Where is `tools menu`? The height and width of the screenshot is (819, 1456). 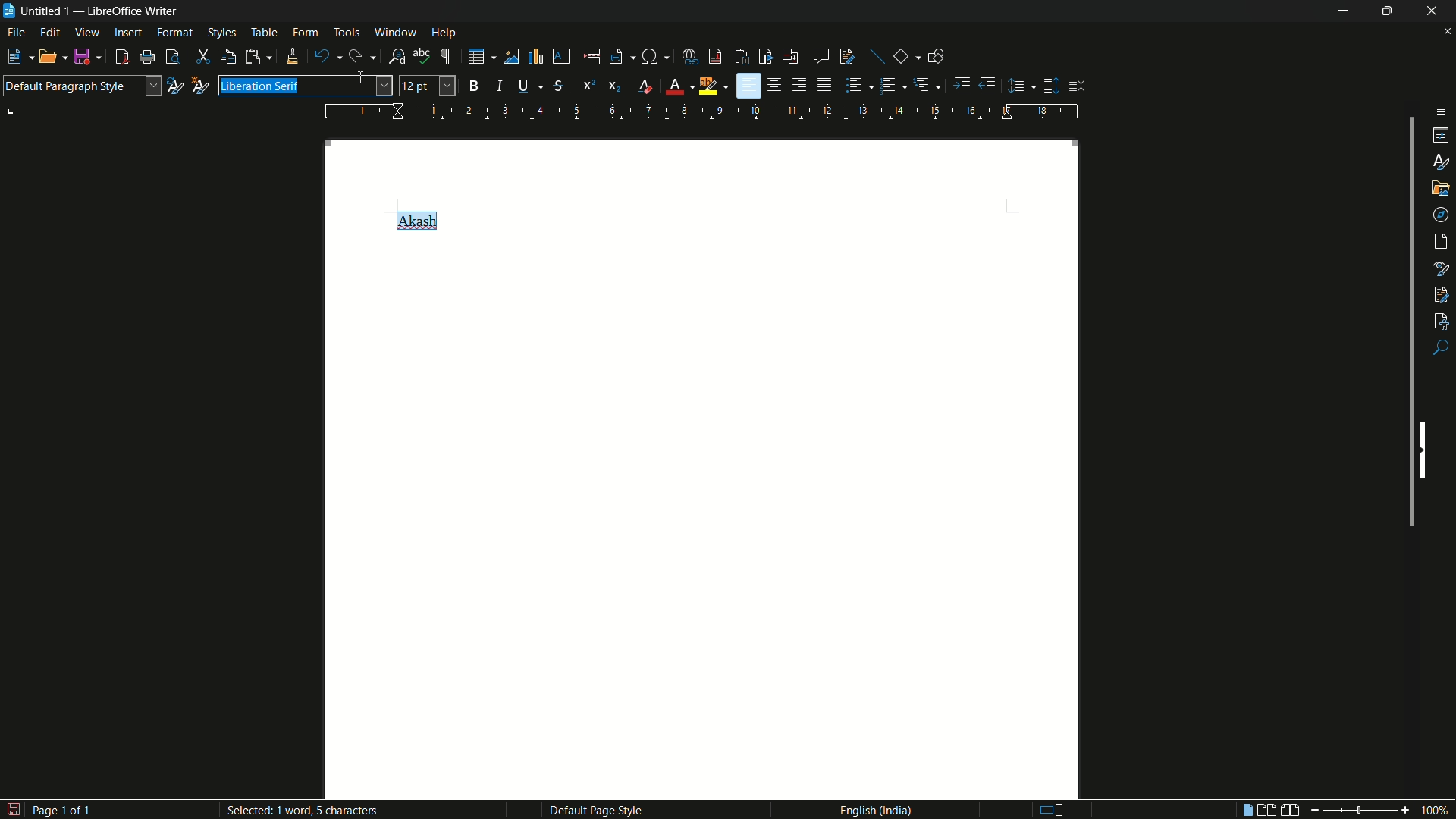 tools menu is located at coordinates (347, 32).